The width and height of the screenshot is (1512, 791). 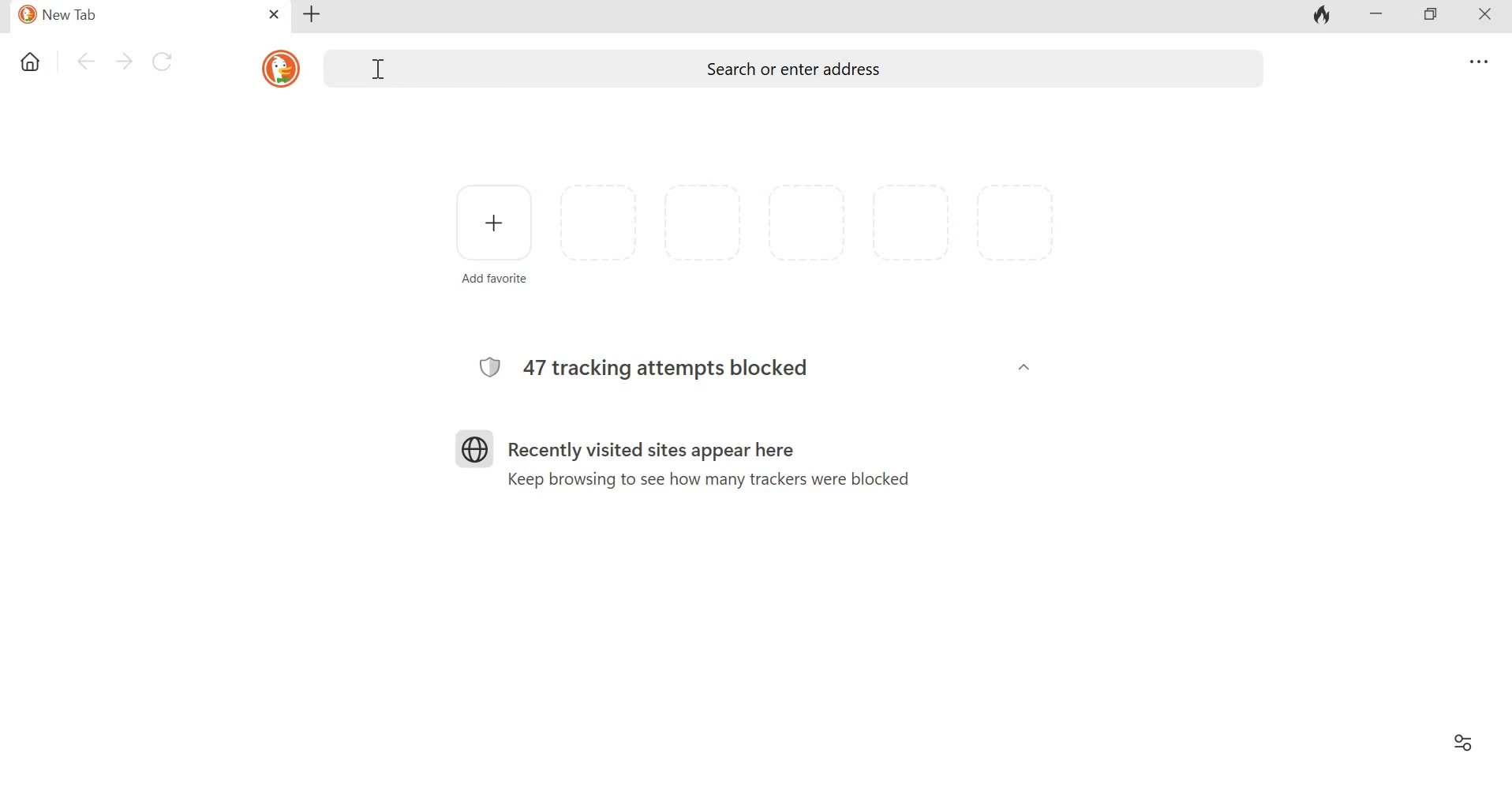 I want to click on home icon, so click(x=32, y=63).